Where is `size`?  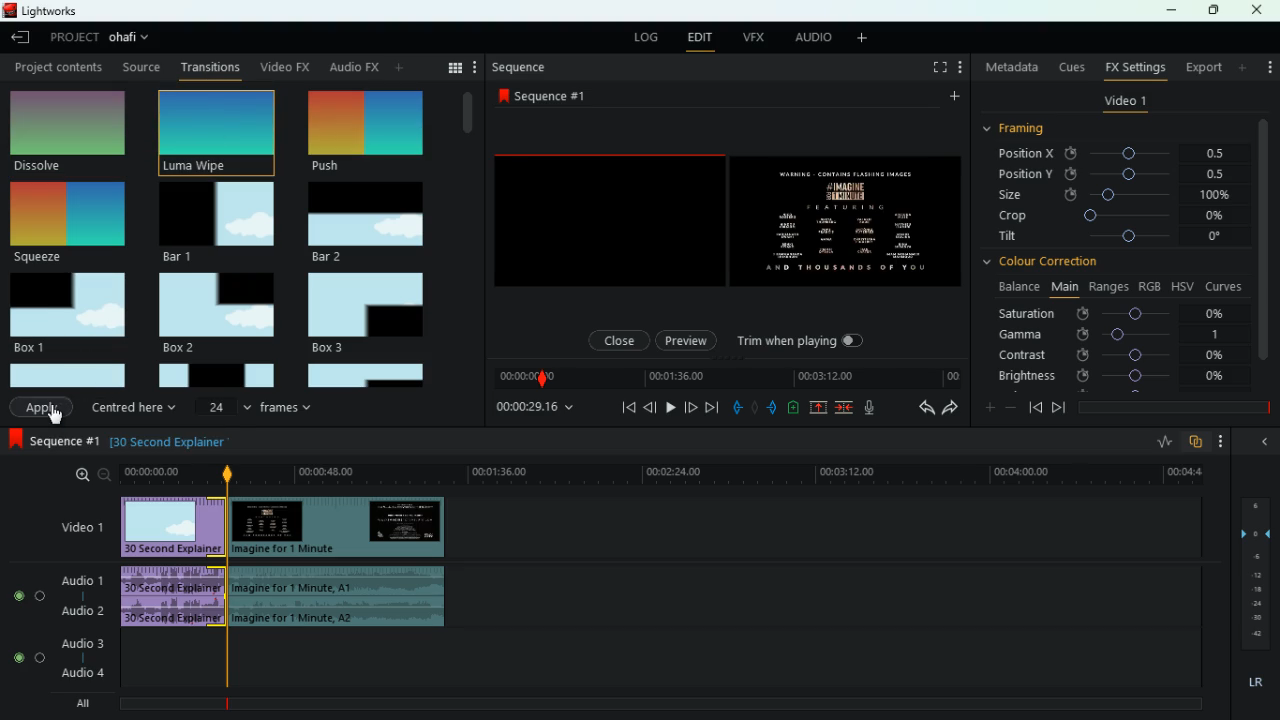
size is located at coordinates (1115, 194).